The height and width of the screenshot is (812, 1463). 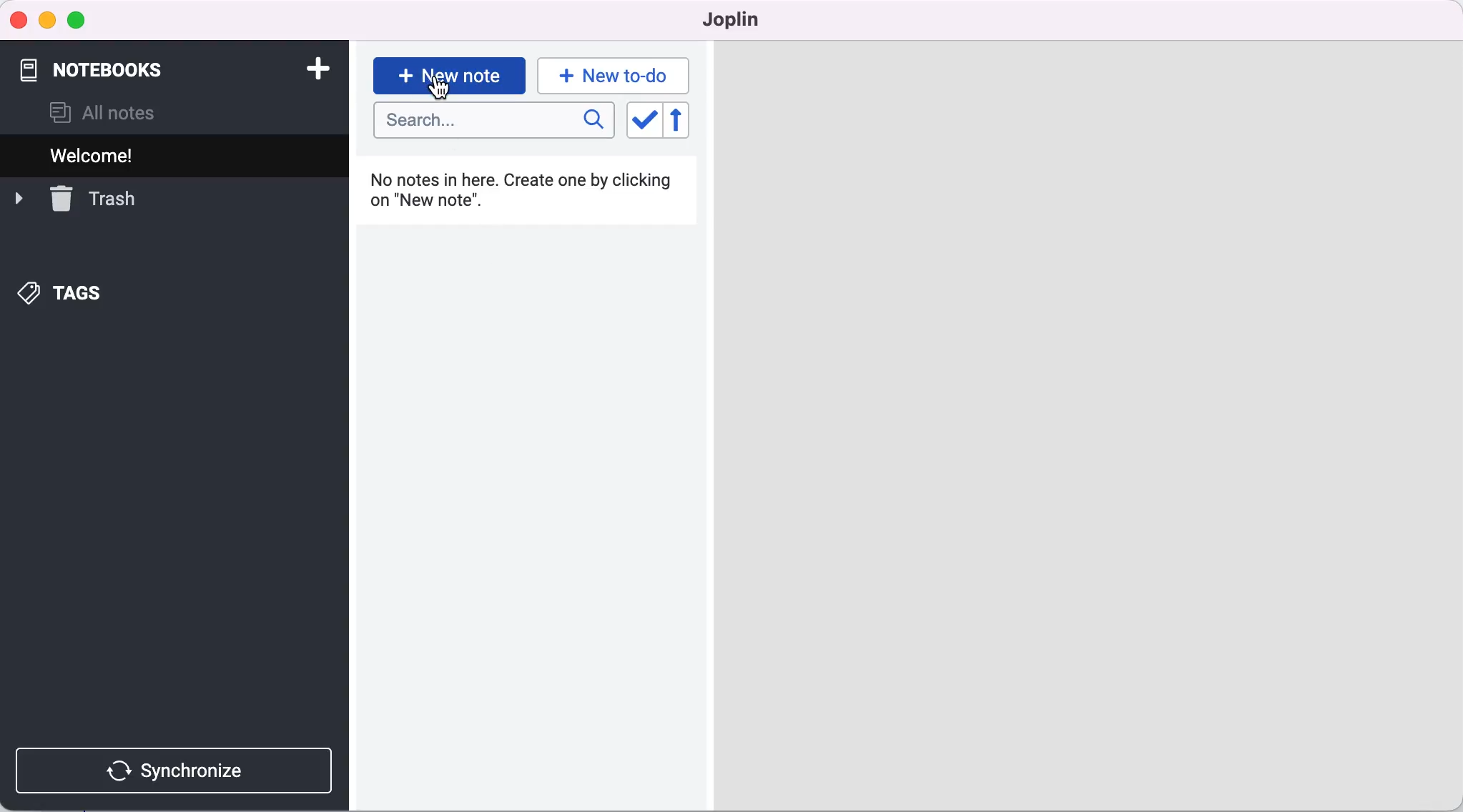 What do you see at coordinates (643, 123) in the screenshot?
I see `toggle sort order field` at bounding box center [643, 123].